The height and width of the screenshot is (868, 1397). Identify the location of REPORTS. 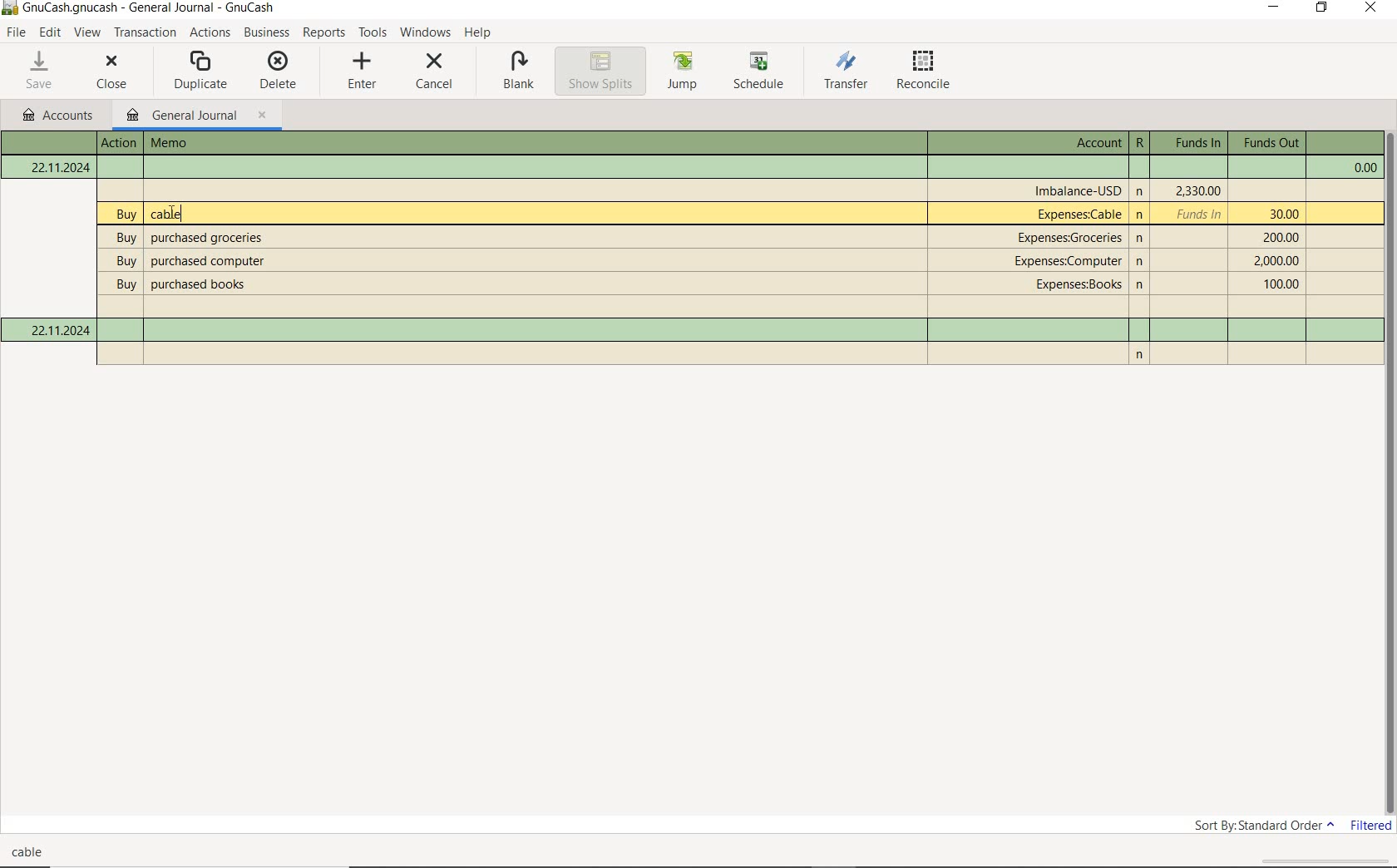
(325, 32).